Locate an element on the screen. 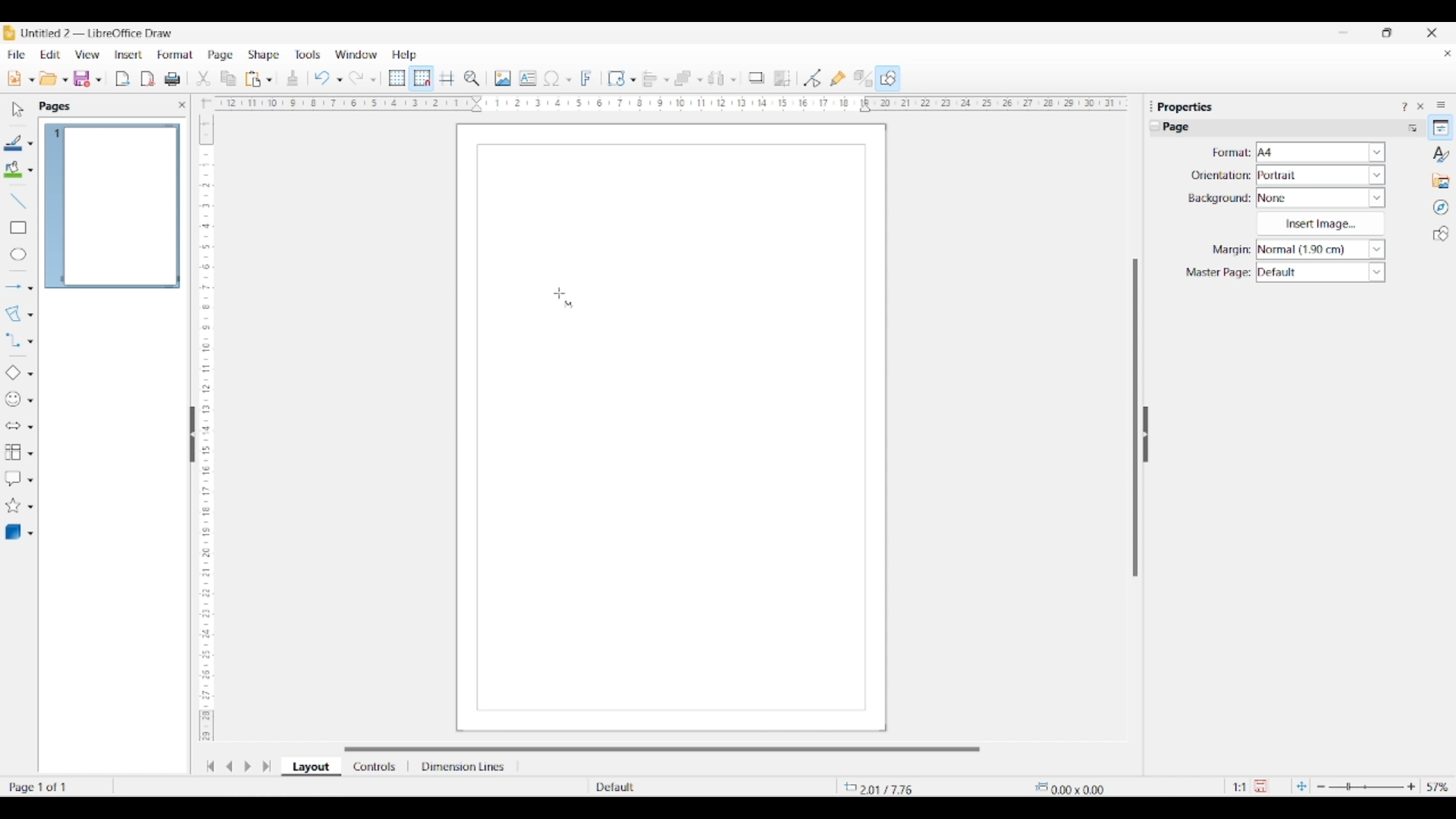  Selected polygon is located at coordinates (14, 314).